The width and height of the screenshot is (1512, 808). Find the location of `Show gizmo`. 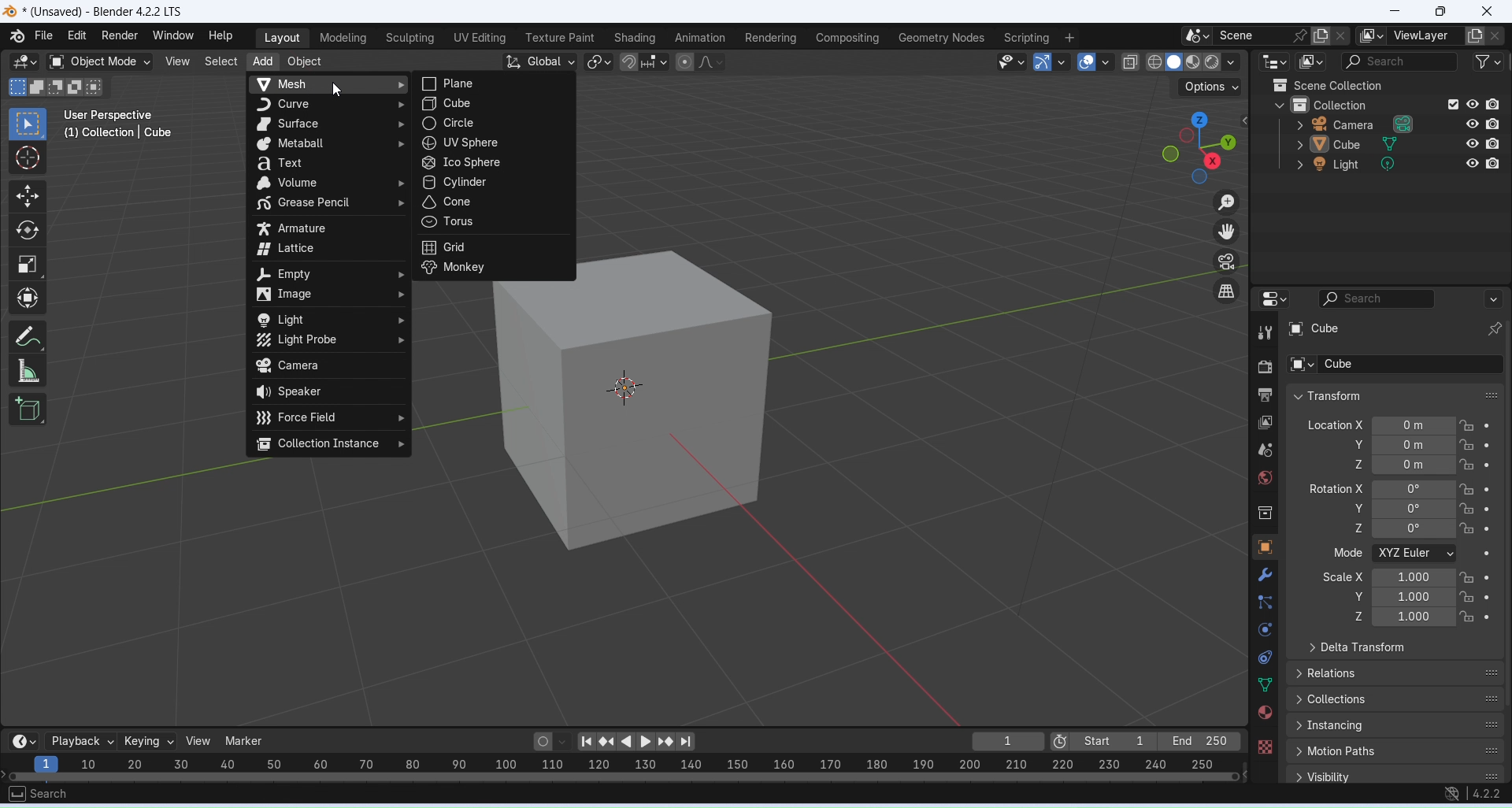

Show gizmo is located at coordinates (1050, 63).